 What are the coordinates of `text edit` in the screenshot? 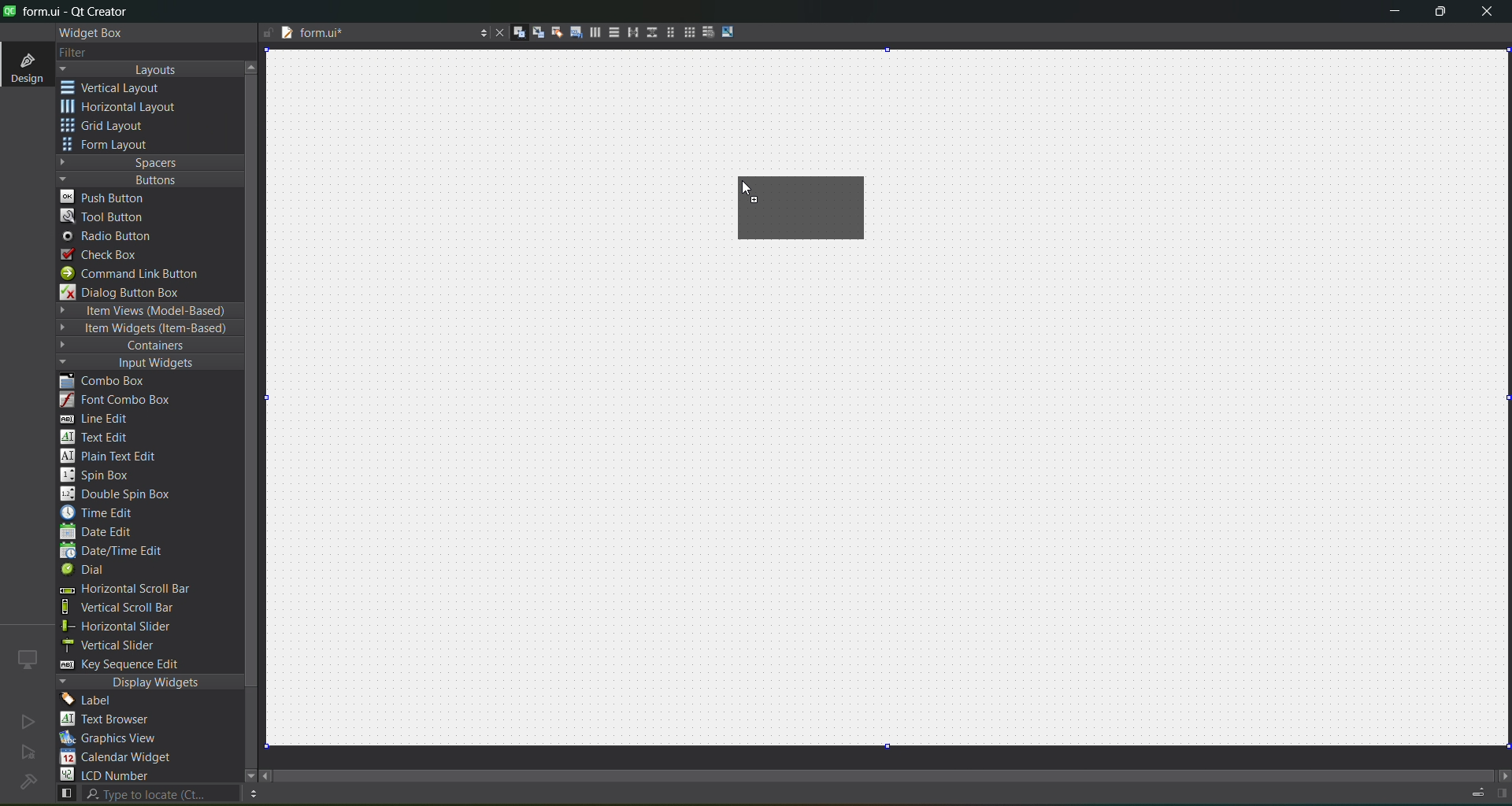 It's located at (99, 436).